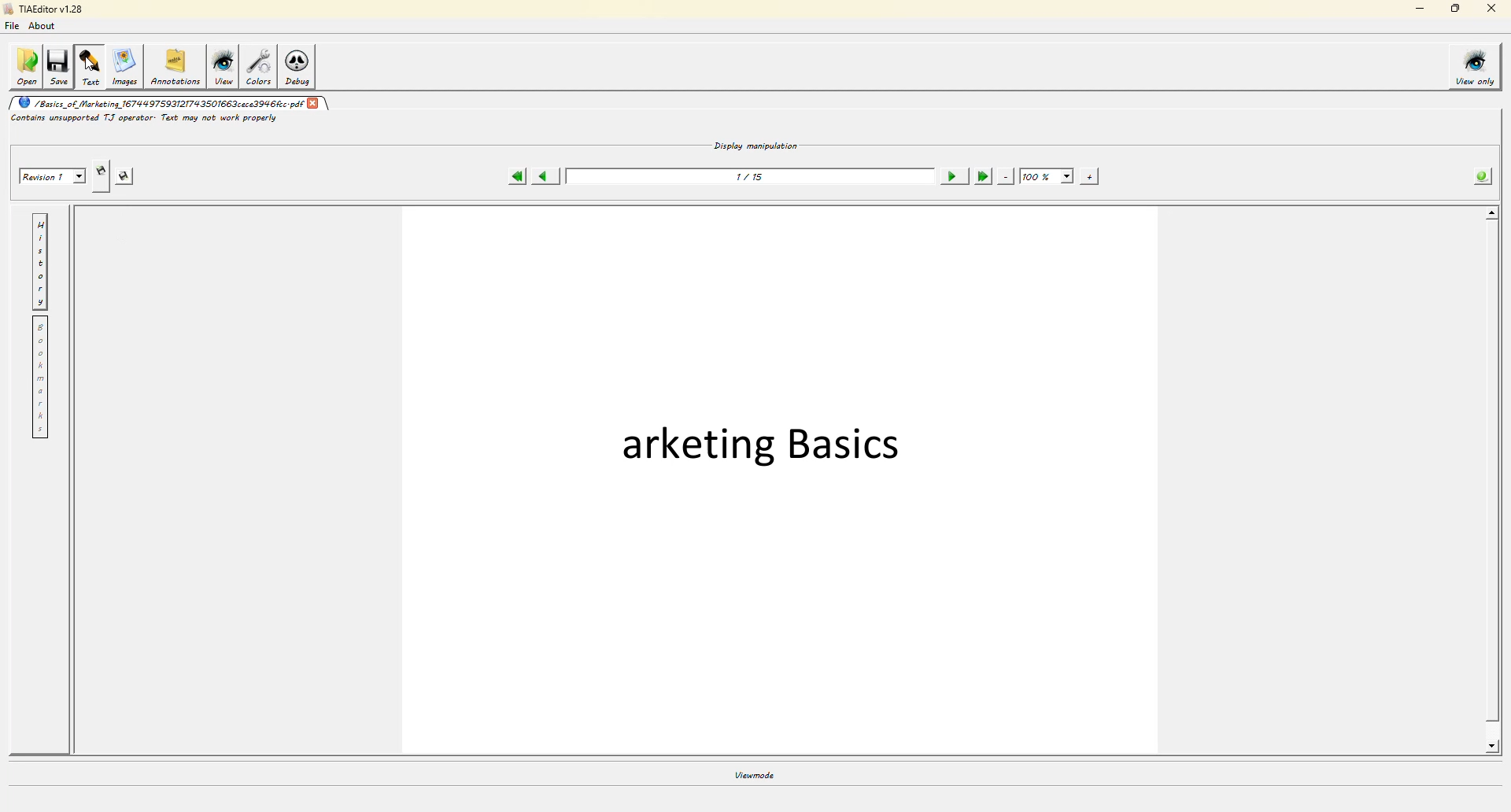 Image resolution: width=1511 pixels, height=812 pixels. What do you see at coordinates (754, 774) in the screenshot?
I see `viewmode` at bounding box center [754, 774].